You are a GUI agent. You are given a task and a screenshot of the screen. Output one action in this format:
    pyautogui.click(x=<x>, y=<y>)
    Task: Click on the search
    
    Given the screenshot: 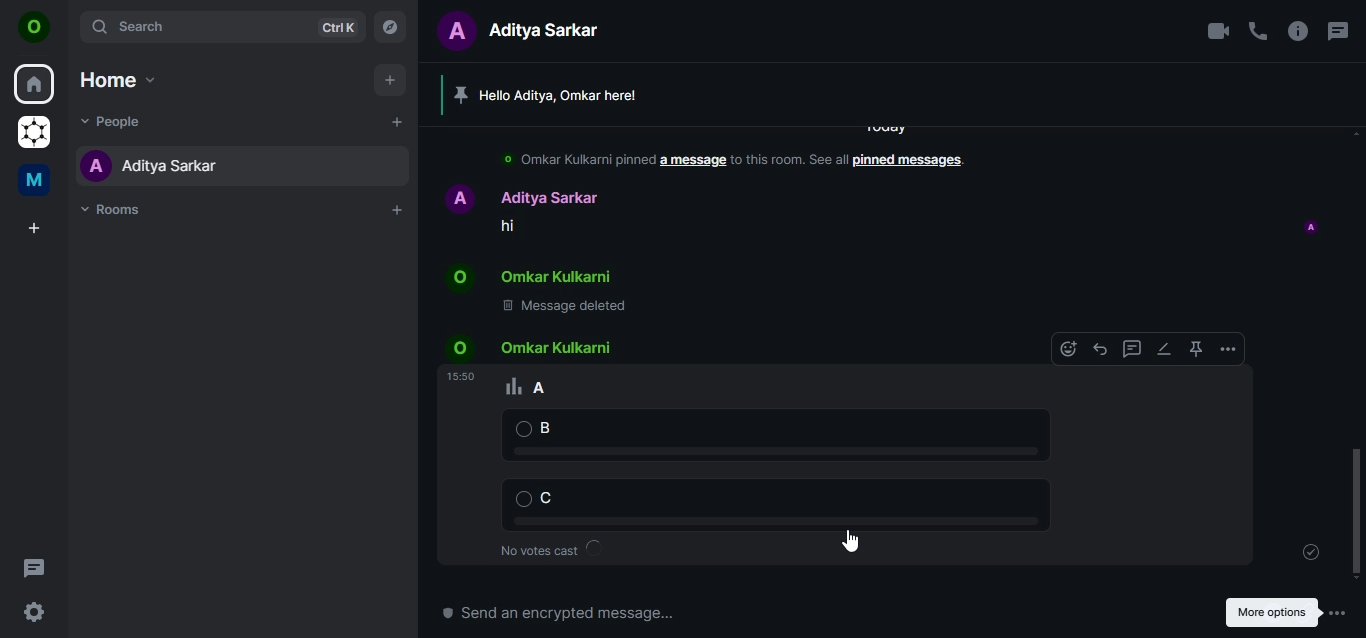 What is the action you would take?
    pyautogui.click(x=220, y=26)
    